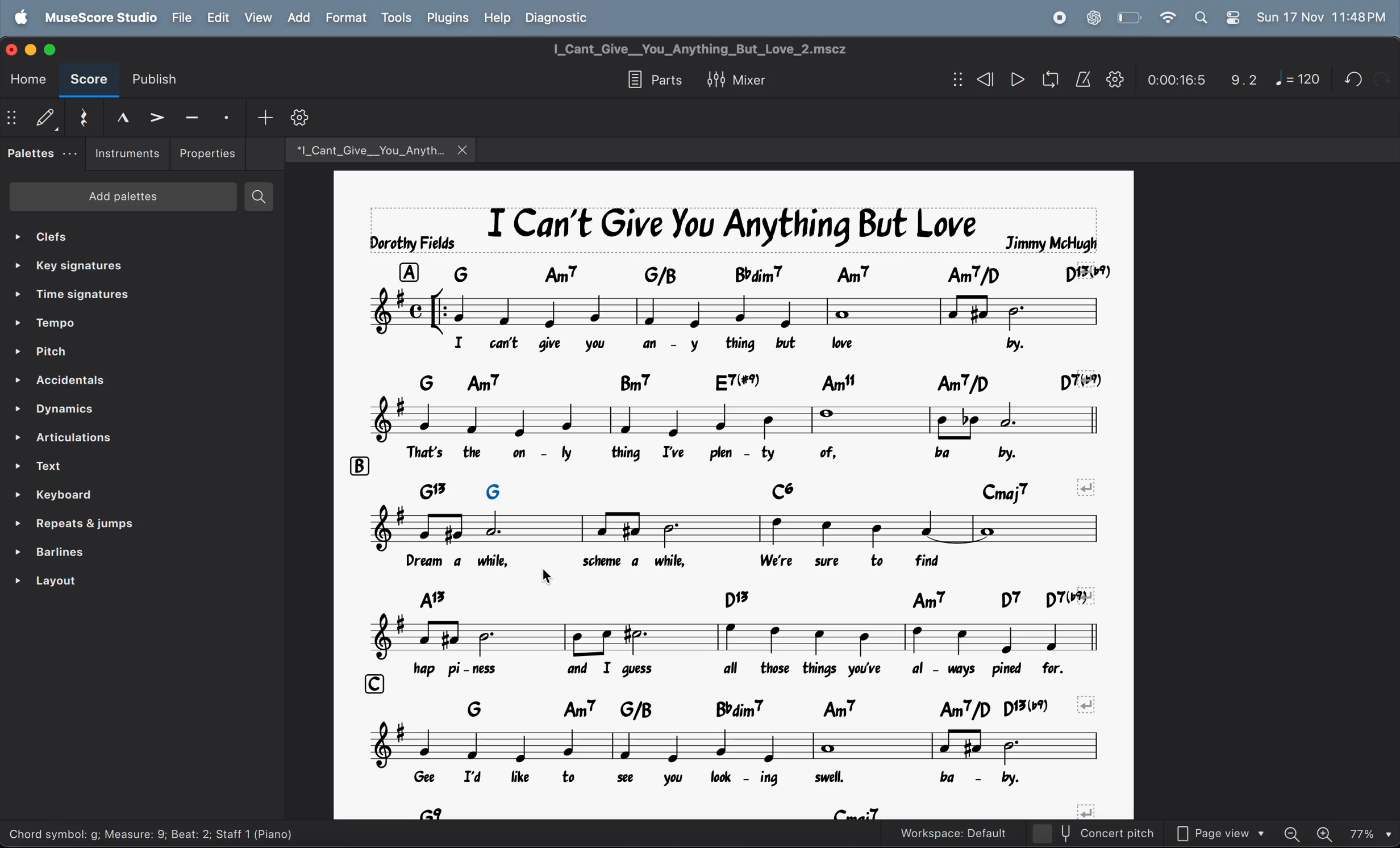 The image size is (1400, 848). What do you see at coordinates (314, 116) in the screenshot?
I see `customize tool bar` at bounding box center [314, 116].